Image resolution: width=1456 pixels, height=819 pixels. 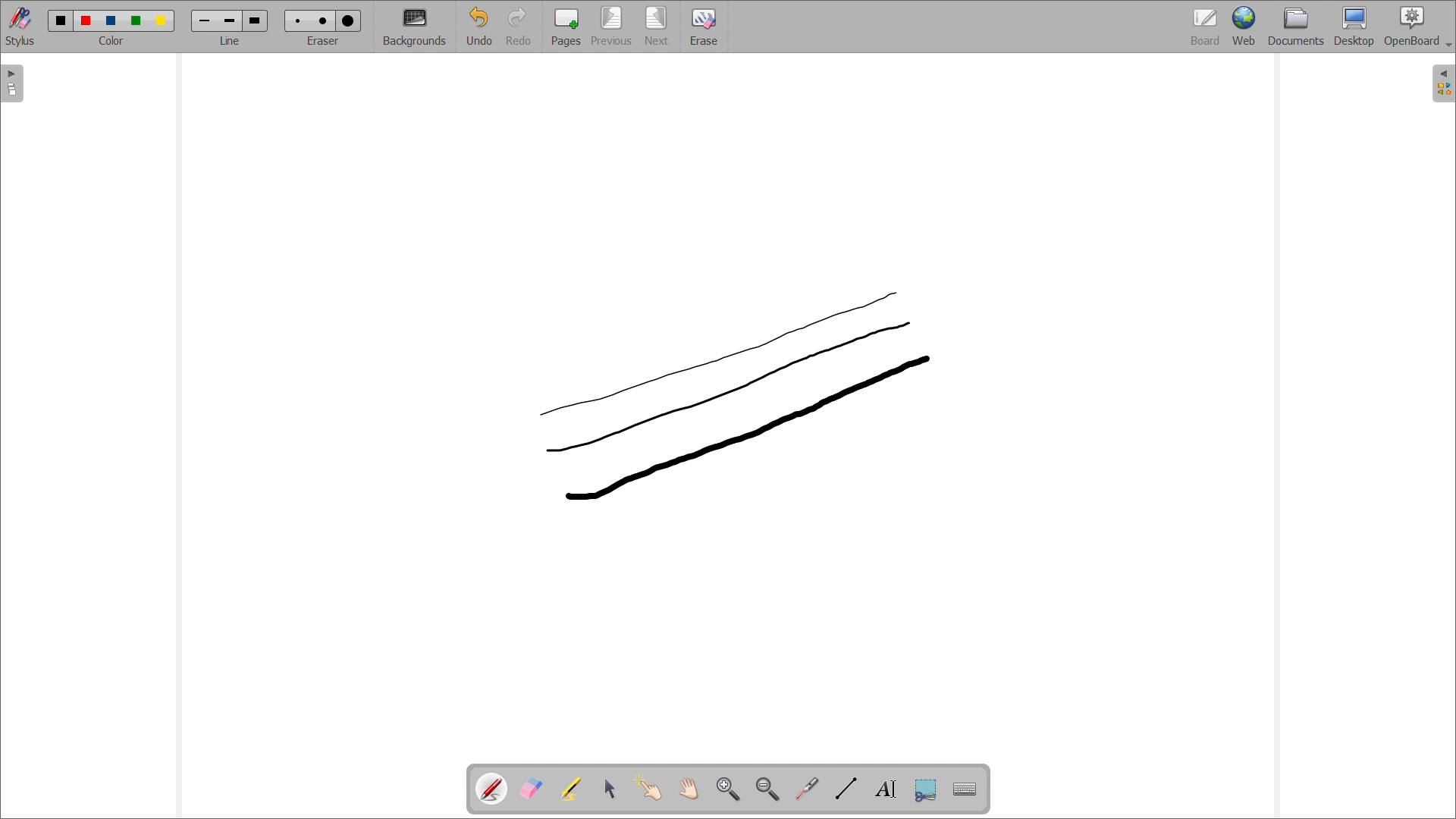 What do you see at coordinates (494, 789) in the screenshot?
I see `pen tool` at bounding box center [494, 789].